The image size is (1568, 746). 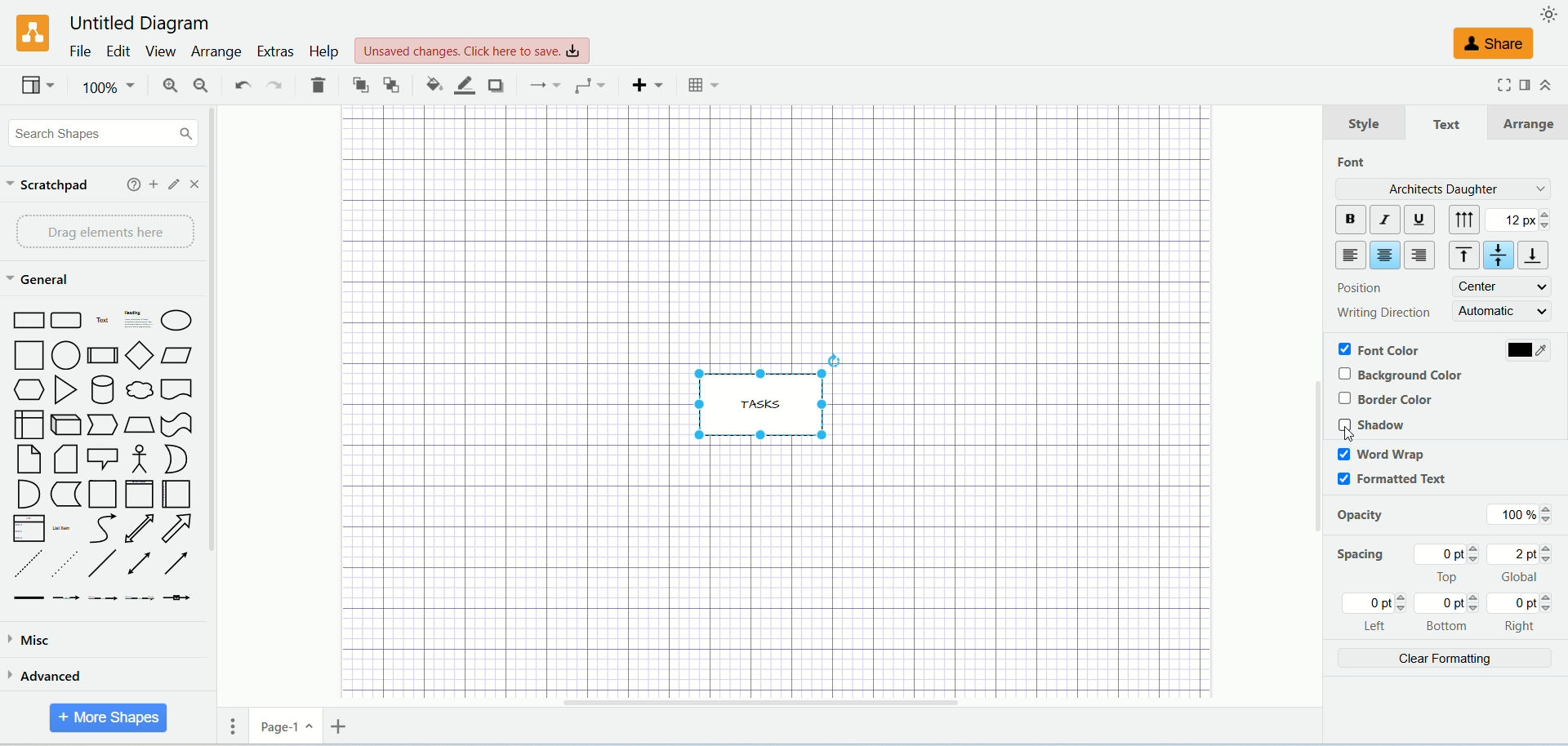 I want to click on Dotted Line, so click(x=64, y=564).